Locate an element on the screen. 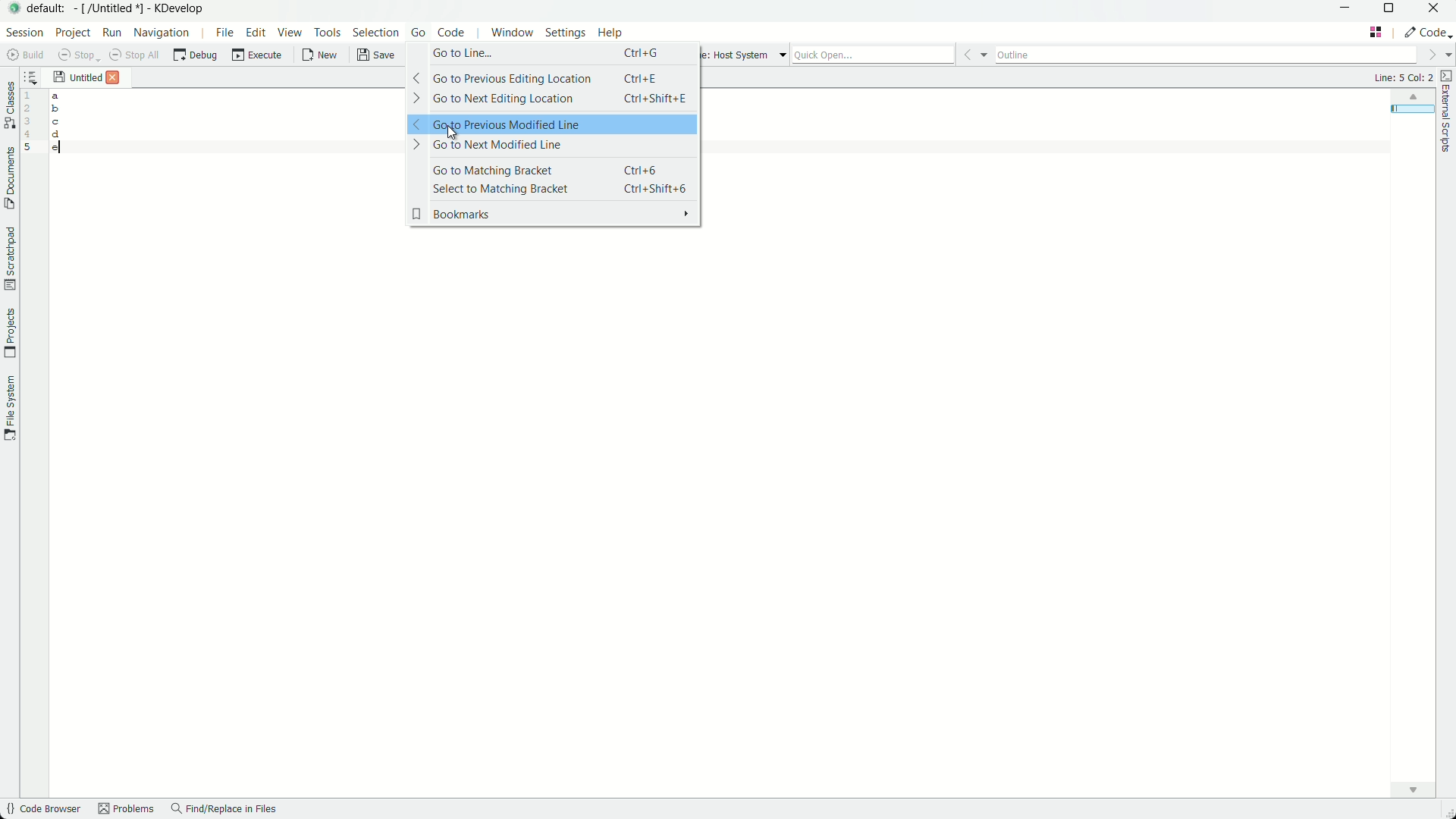 The image size is (1456, 819). classes is located at coordinates (9, 106).